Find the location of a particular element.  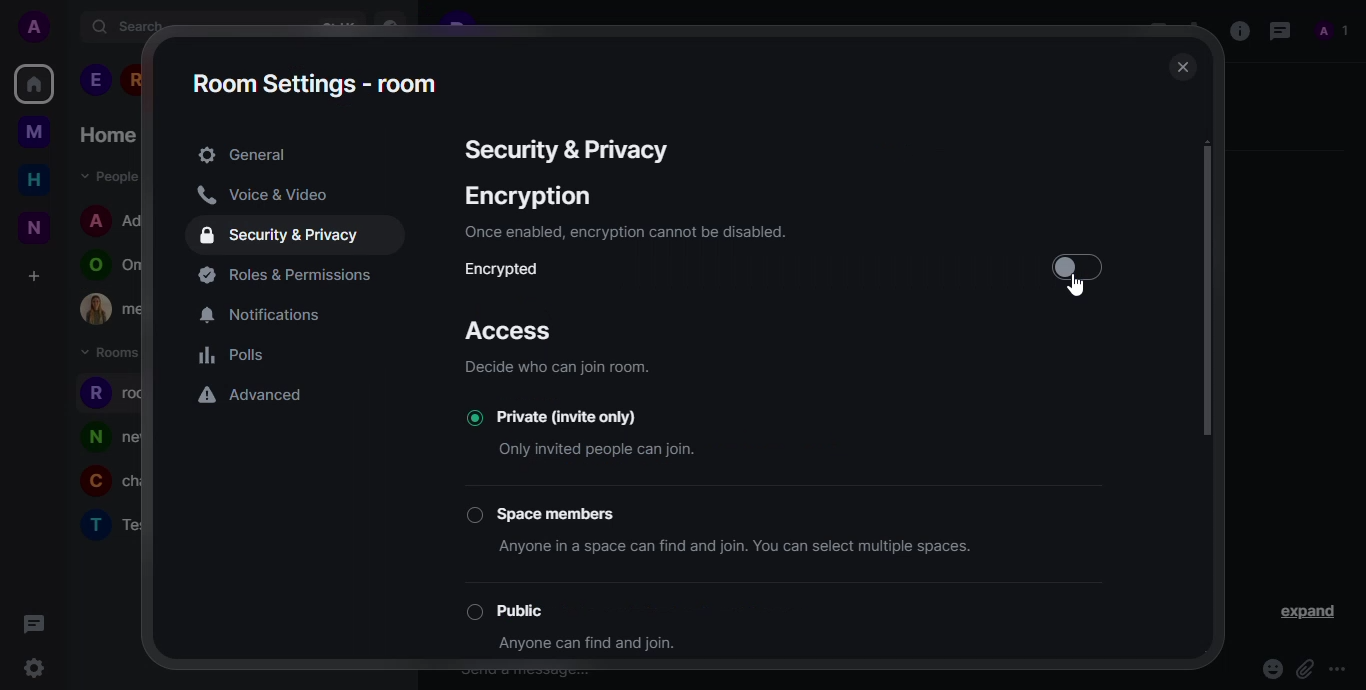

emoji is located at coordinates (1271, 669).